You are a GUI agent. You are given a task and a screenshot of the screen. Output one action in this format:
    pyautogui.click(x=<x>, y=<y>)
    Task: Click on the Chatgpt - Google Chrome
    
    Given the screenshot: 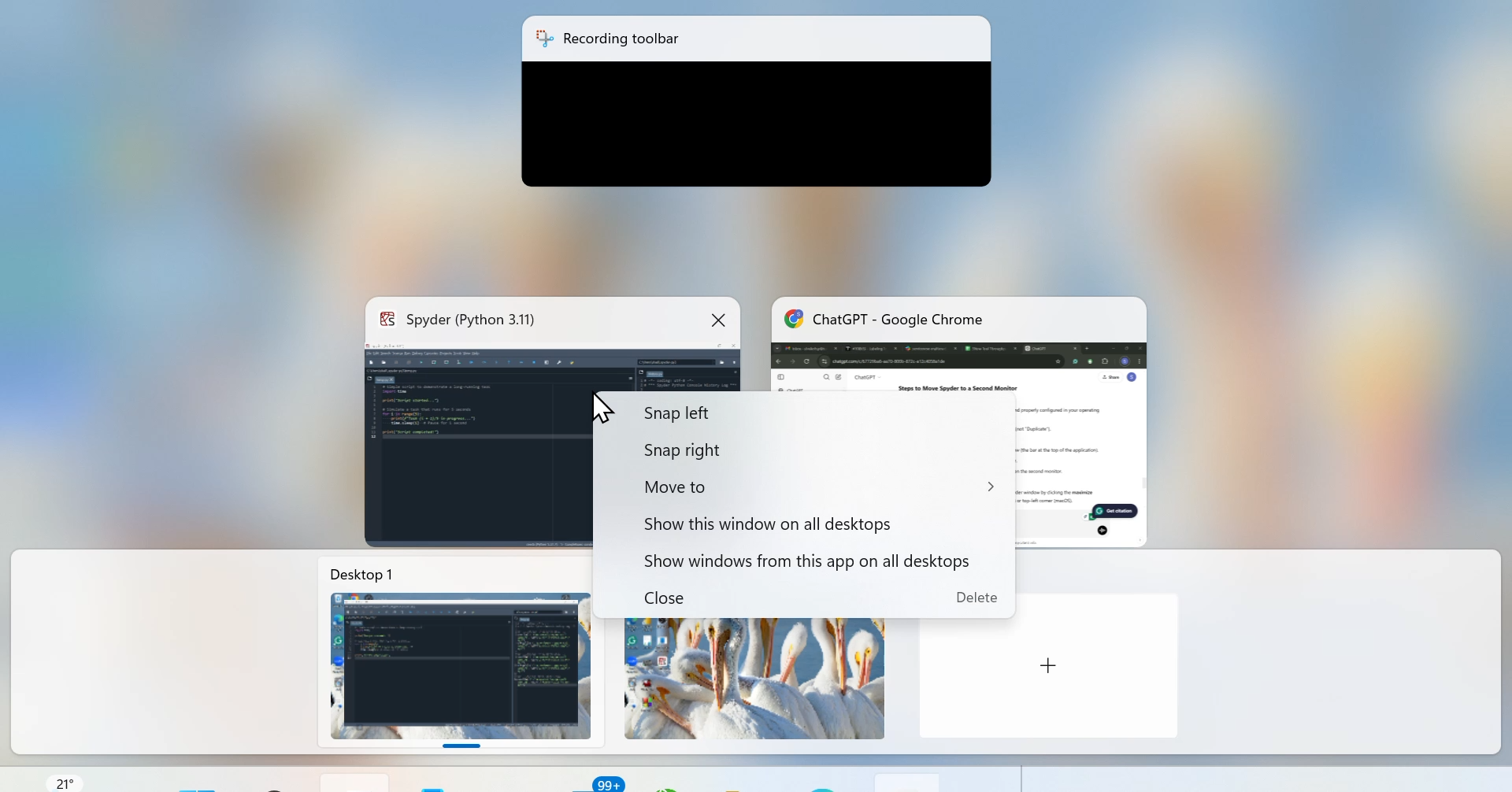 What is the action you would take?
    pyautogui.click(x=962, y=335)
    